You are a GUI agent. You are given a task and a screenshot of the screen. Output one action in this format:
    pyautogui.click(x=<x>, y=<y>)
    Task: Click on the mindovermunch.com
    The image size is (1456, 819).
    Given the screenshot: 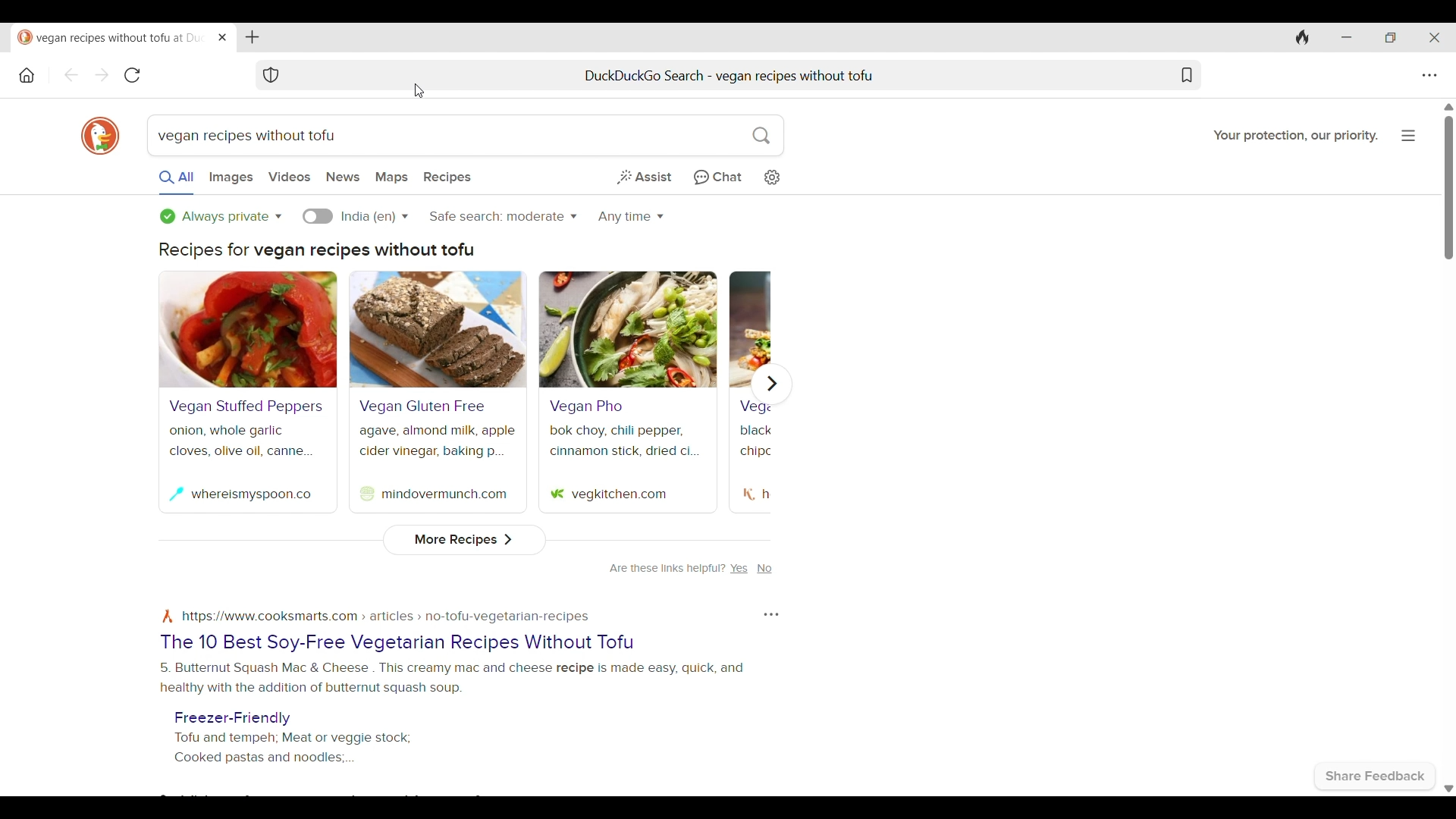 What is the action you would take?
    pyautogui.click(x=444, y=494)
    